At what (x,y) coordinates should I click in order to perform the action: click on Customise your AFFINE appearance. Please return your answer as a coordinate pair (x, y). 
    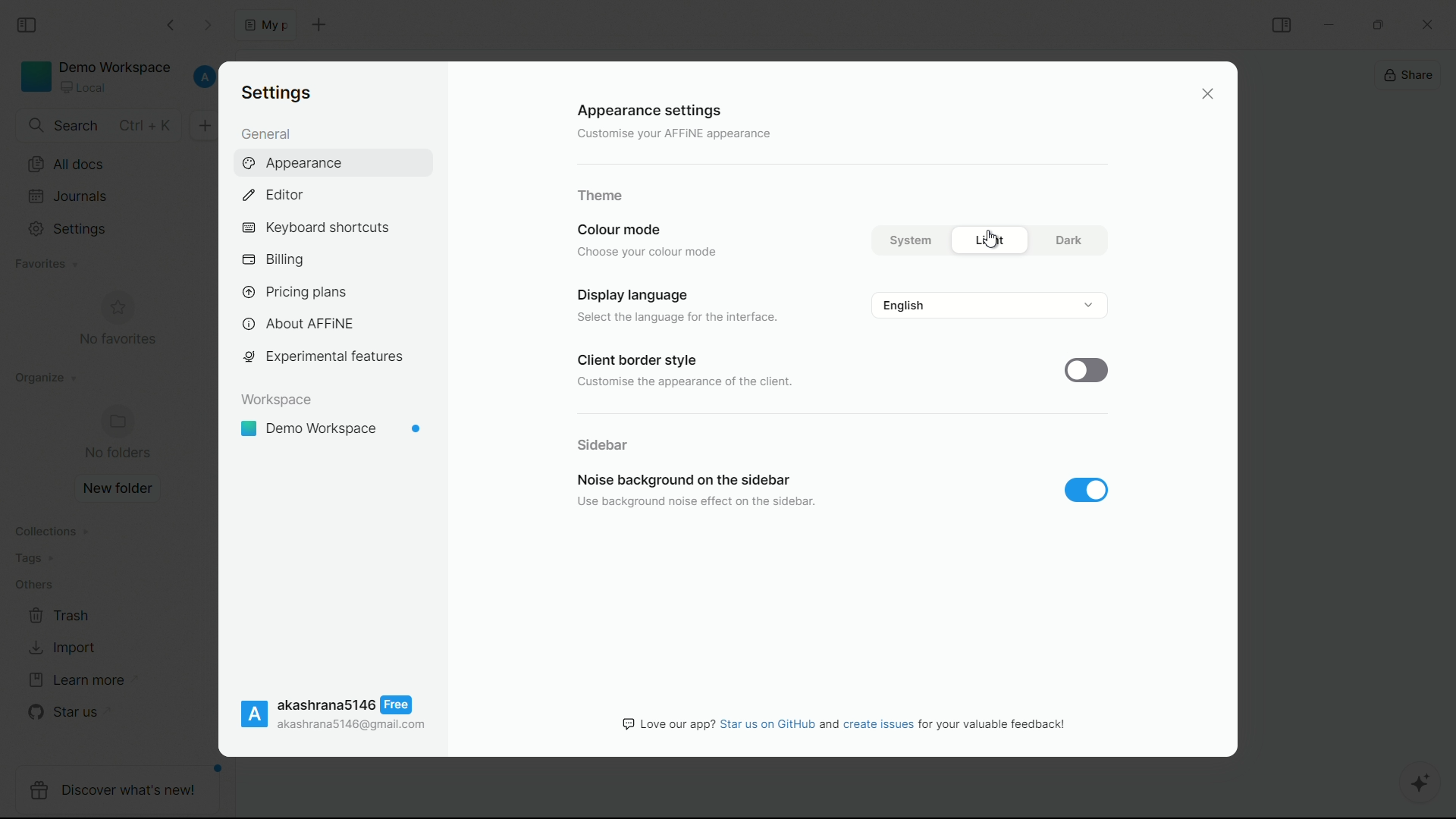
    Looking at the image, I should click on (662, 133).